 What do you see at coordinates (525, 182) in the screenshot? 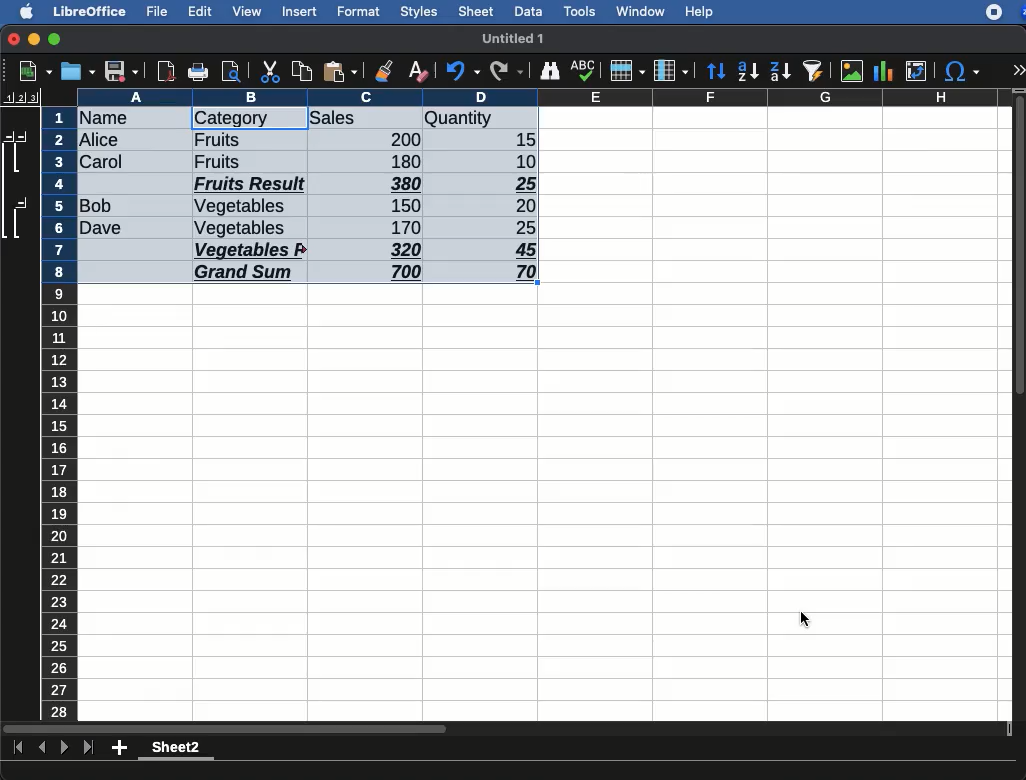
I see `25` at bounding box center [525, 182].